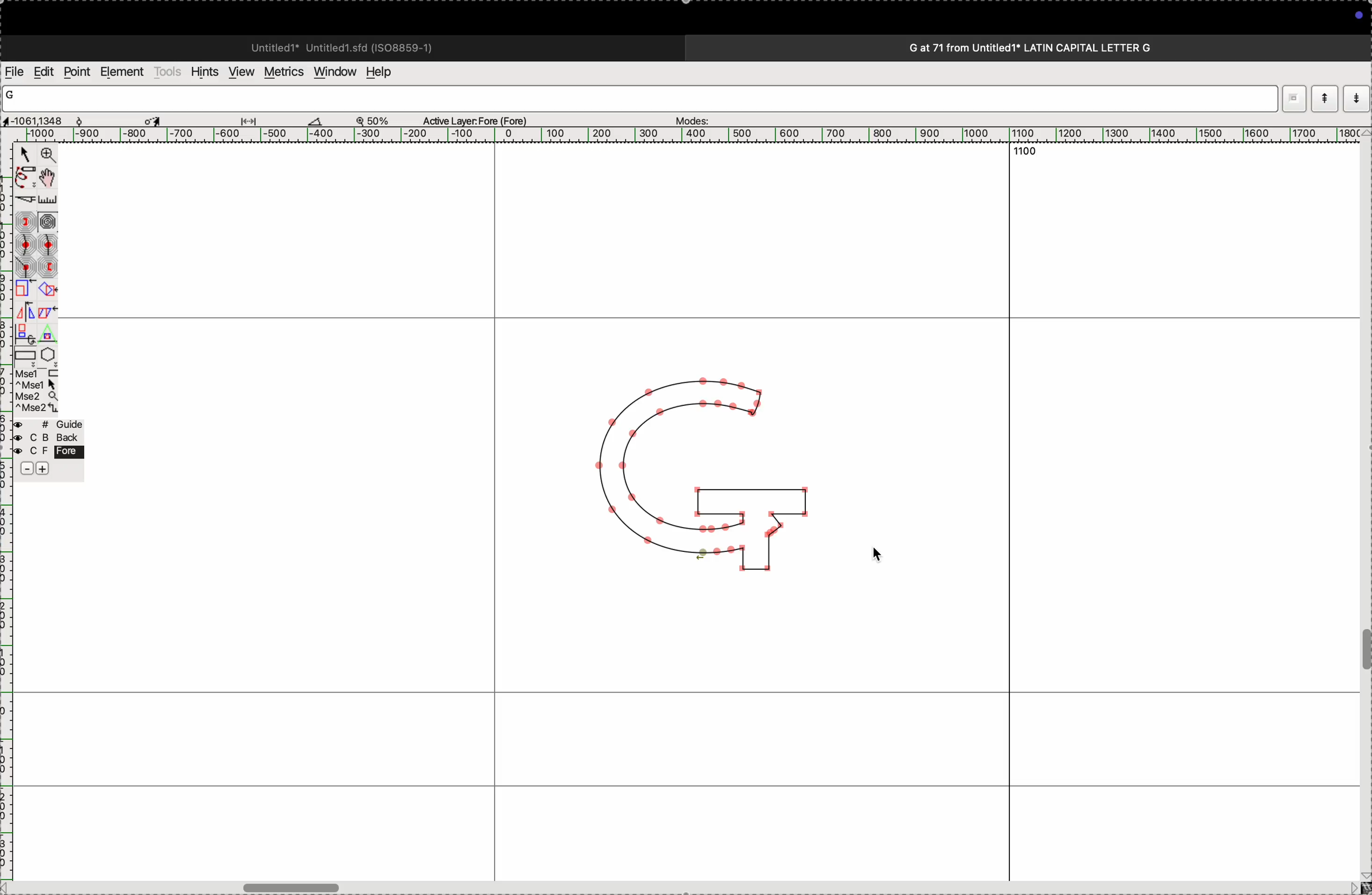  Describe the element at coordinates (1294, 97) in the screenshot. I see `dropdown` at that location.